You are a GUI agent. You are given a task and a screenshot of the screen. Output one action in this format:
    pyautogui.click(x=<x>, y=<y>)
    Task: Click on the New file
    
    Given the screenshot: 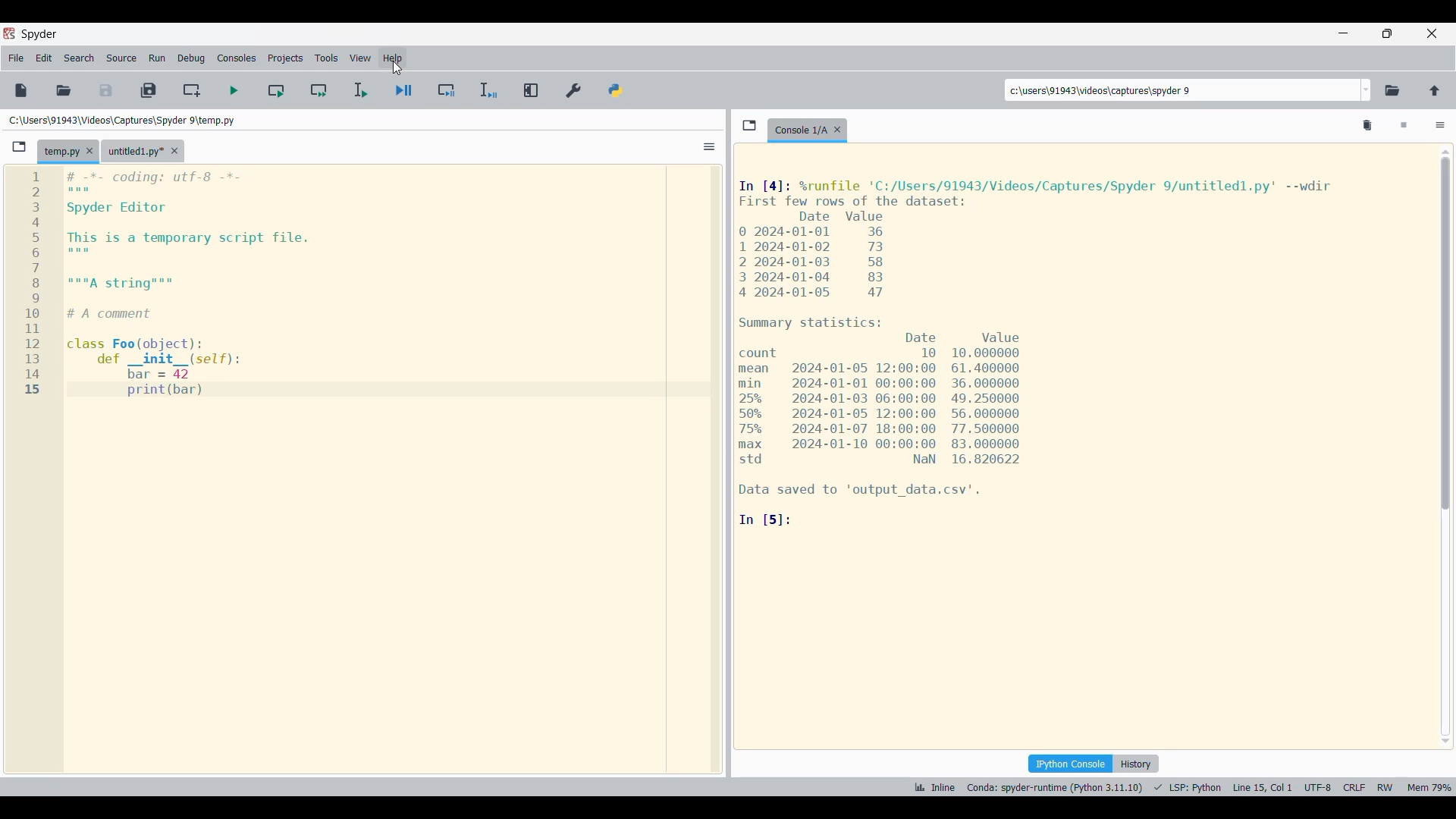 What is the action you would take?
    pyautogui.click(x=20, y=90)
    